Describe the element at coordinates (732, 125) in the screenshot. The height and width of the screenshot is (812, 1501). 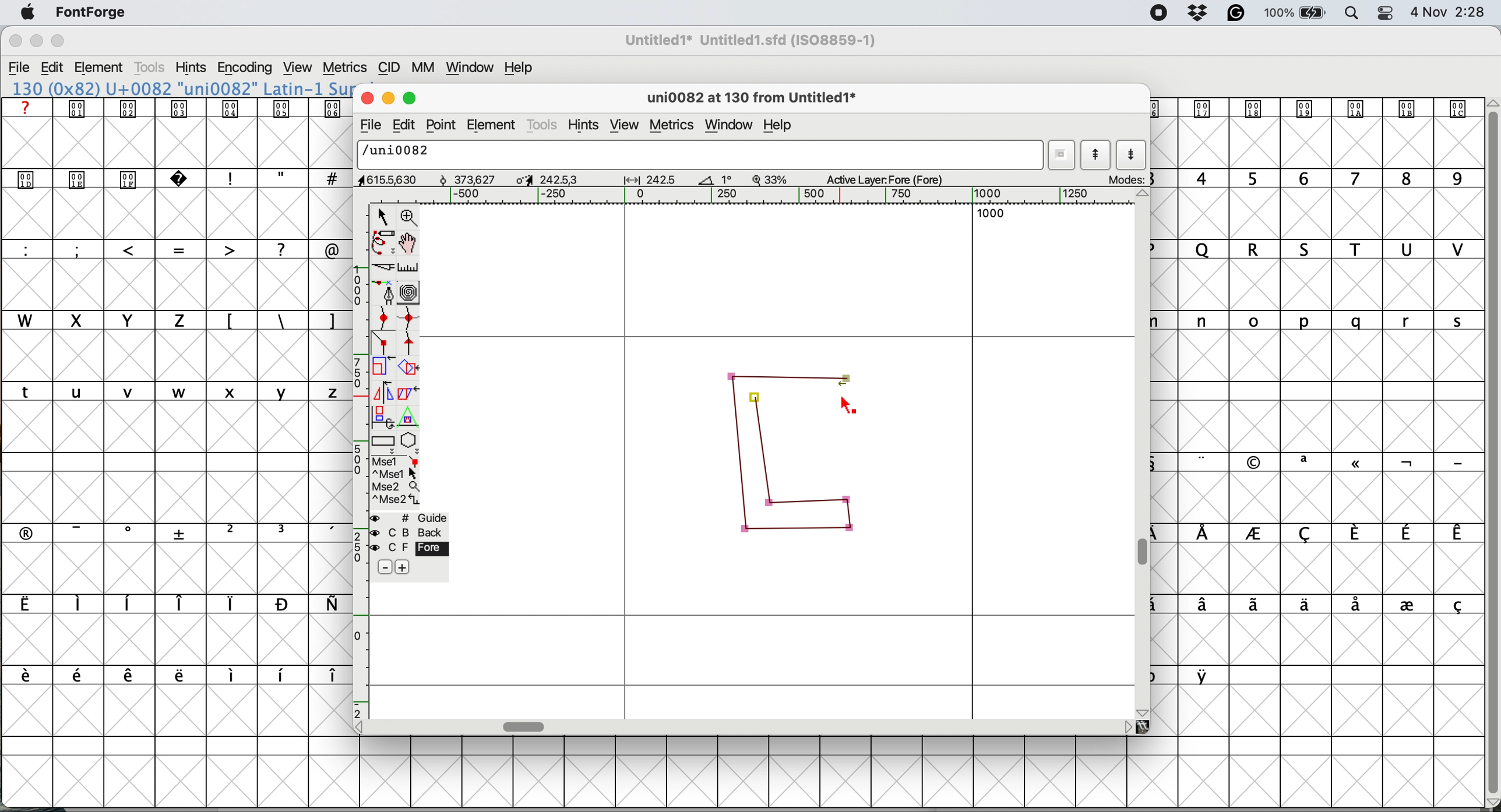
I see `window` at that location.